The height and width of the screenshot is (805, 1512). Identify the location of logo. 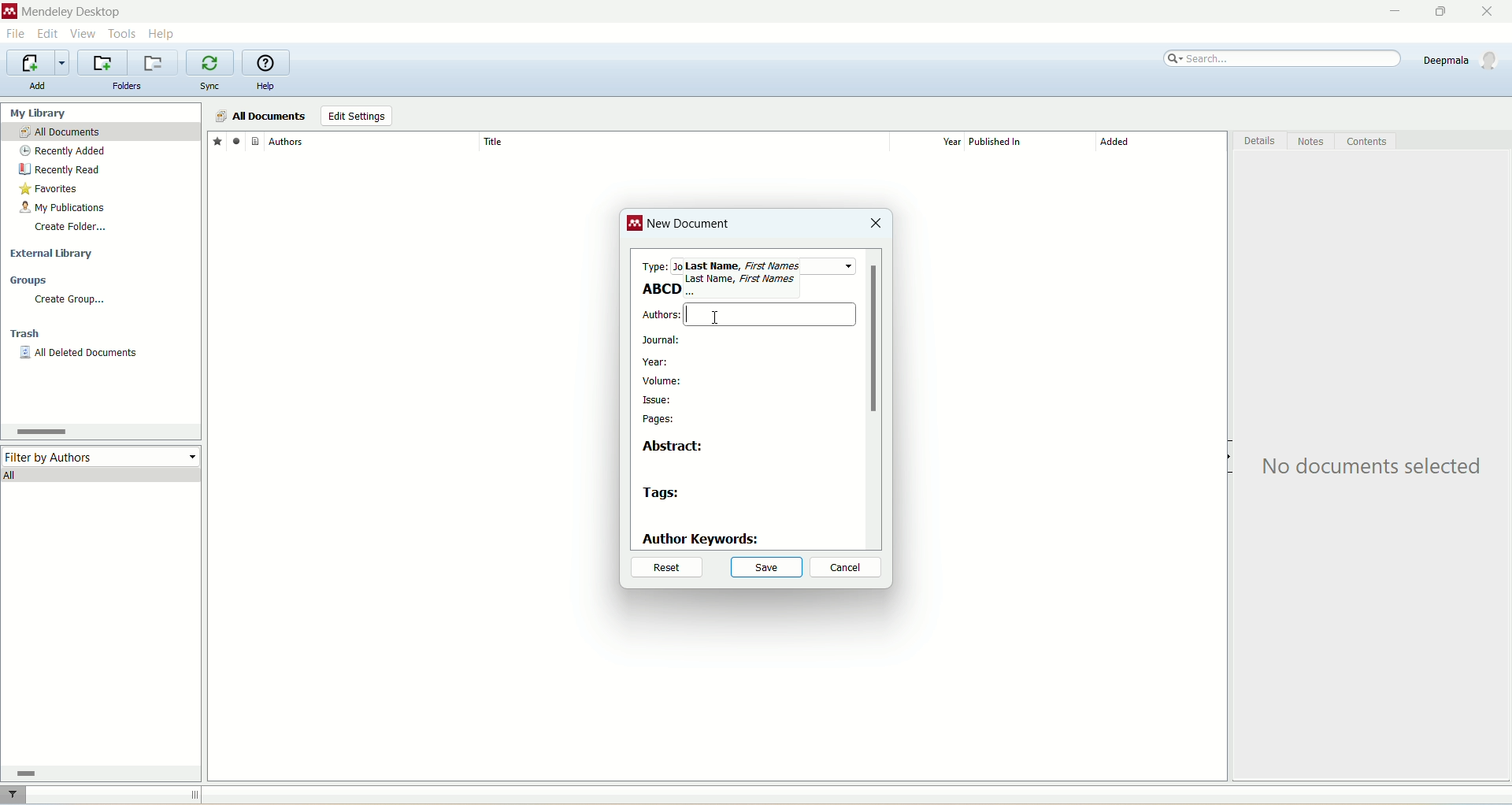
(636, 225).